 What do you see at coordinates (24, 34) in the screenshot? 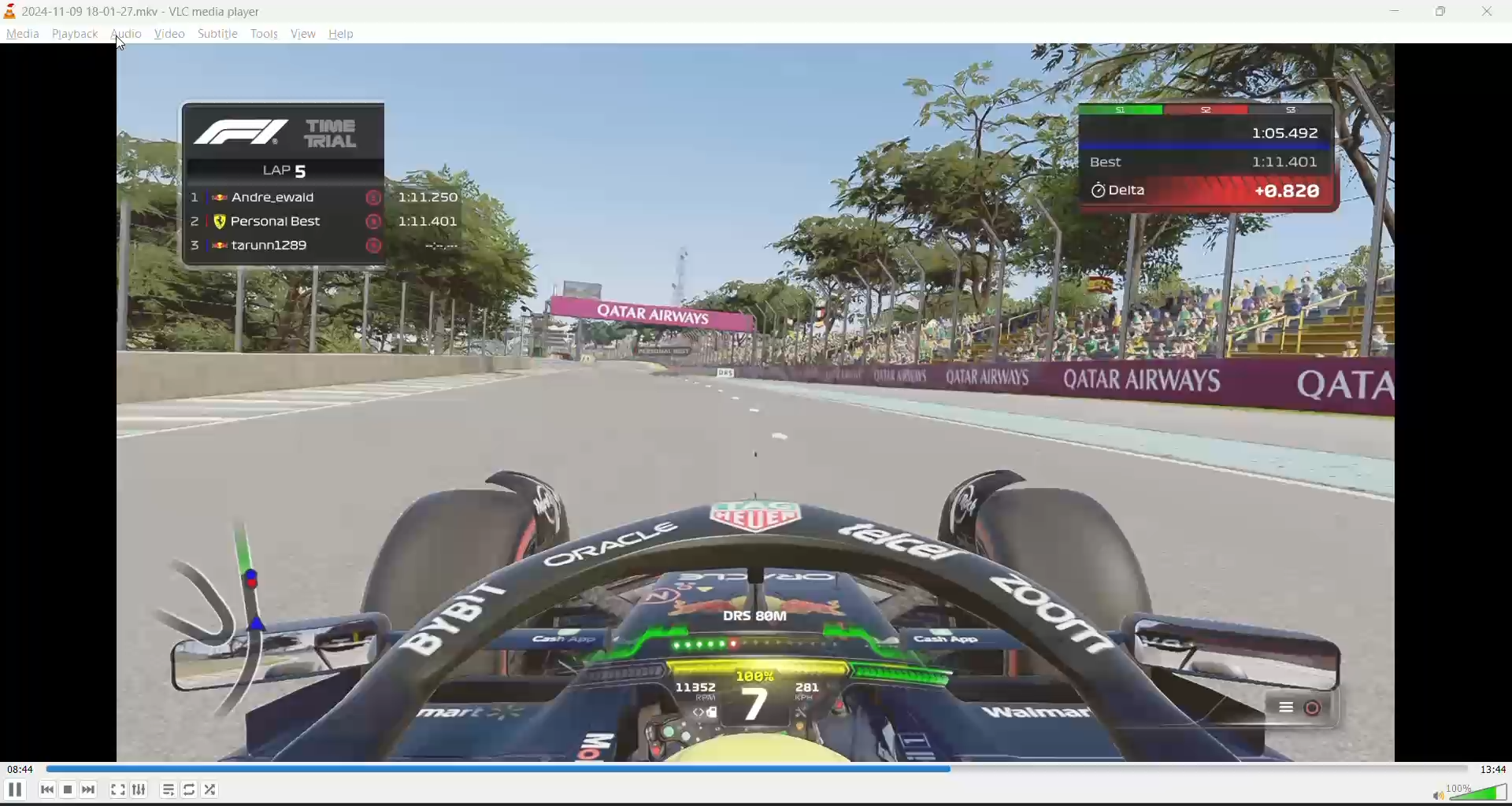
I see `media` at bounding box center [24, 34].